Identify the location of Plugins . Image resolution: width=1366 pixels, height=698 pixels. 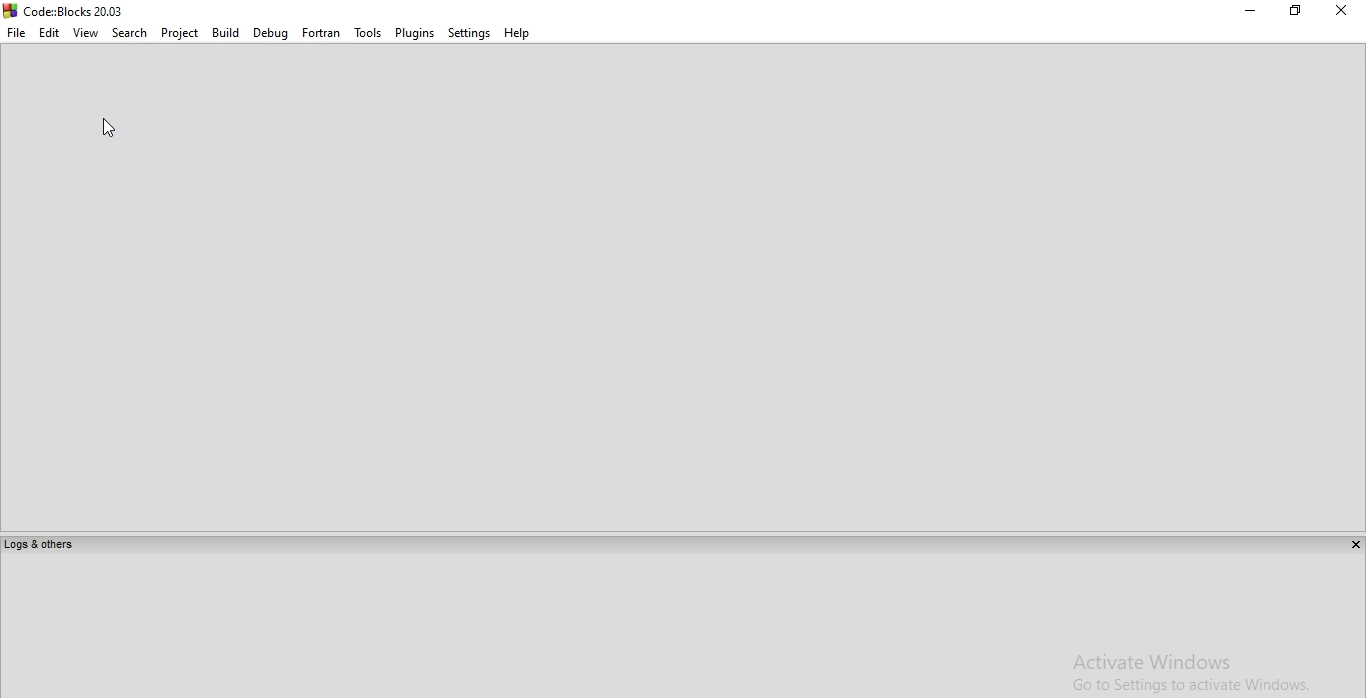
(415, 32).